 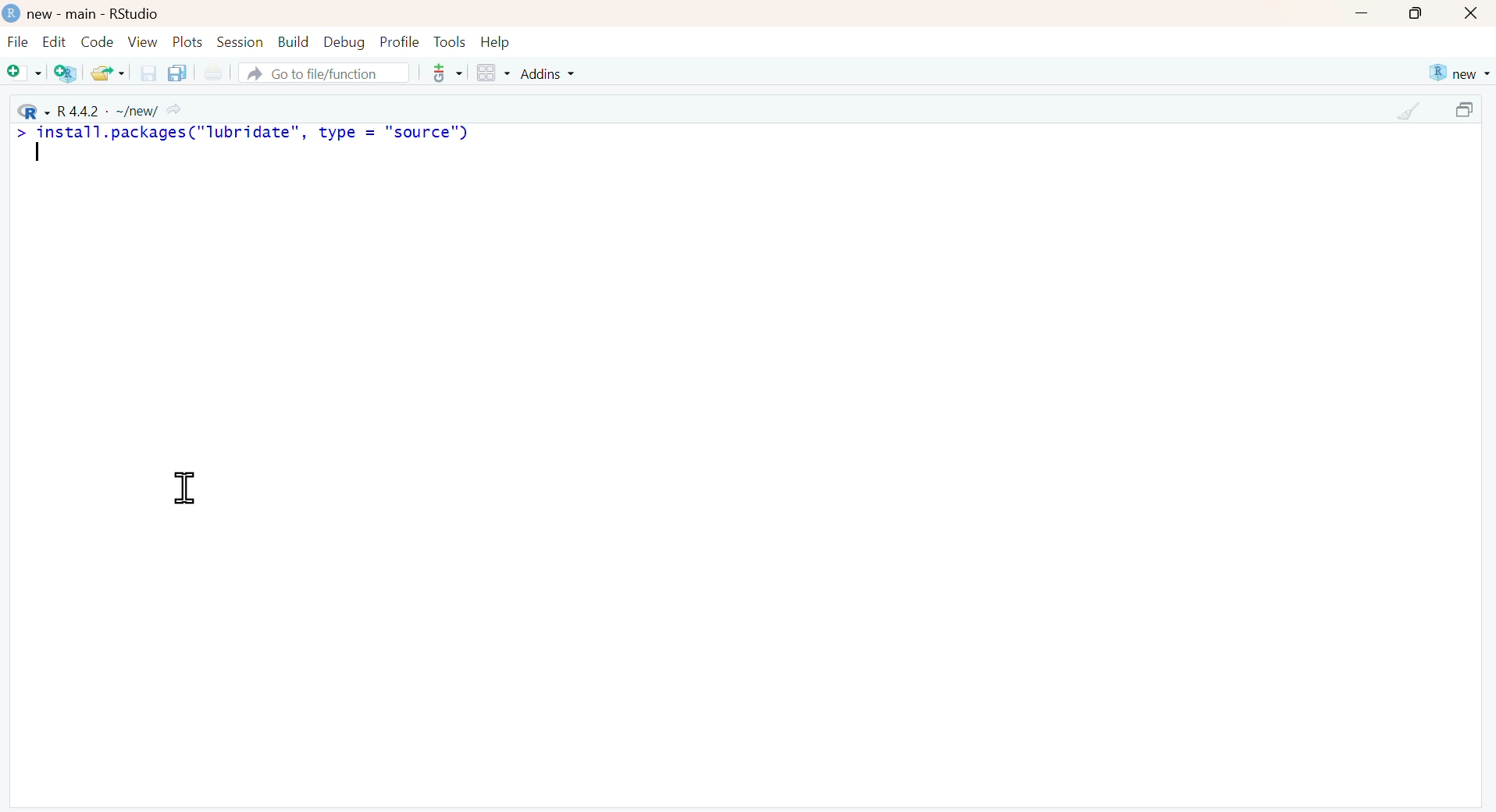 I want to click on New file, so click(x=25, y=74).